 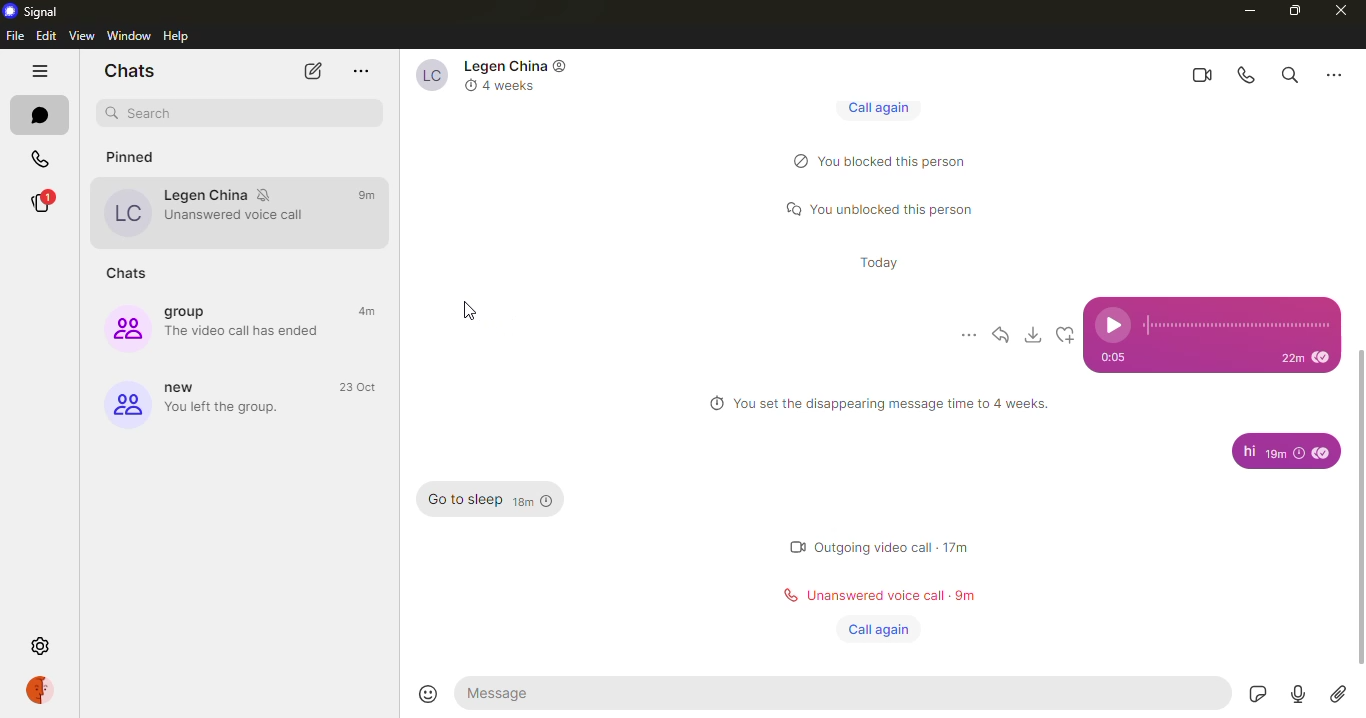 What do you see at coordinates (42, 691) in the screenshot?
I see `profile` at bounding box center [42, 691].